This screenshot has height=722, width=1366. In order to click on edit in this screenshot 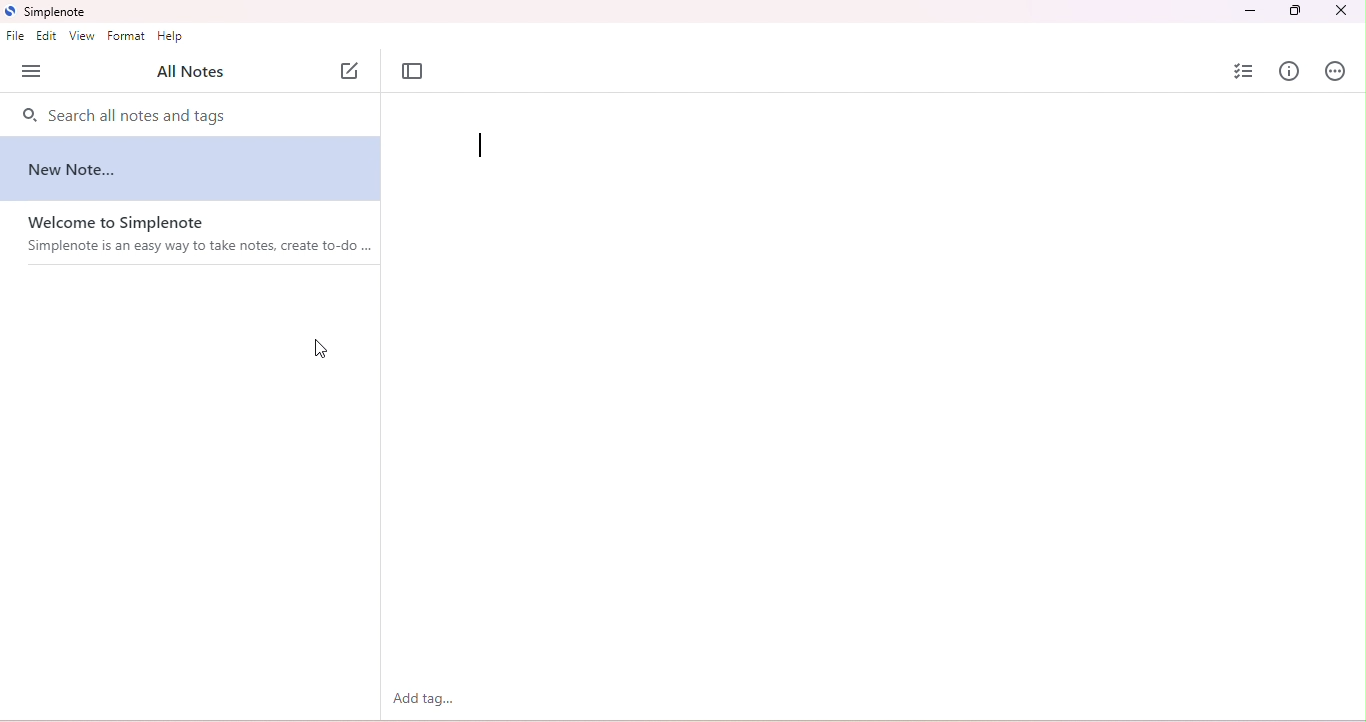, I will do `click(47, 36)`.